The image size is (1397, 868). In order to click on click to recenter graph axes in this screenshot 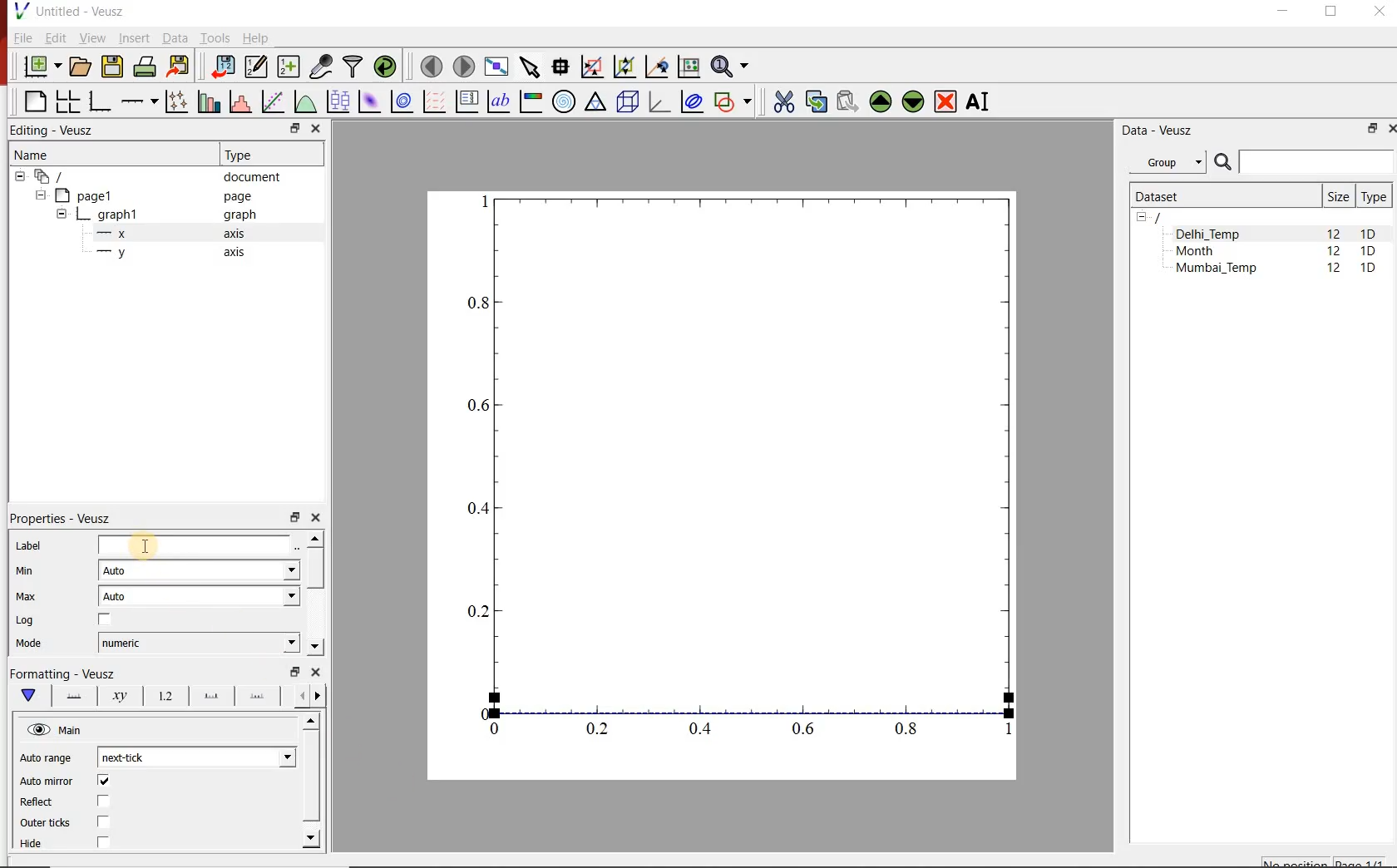, I will do `click(656, 67)`.